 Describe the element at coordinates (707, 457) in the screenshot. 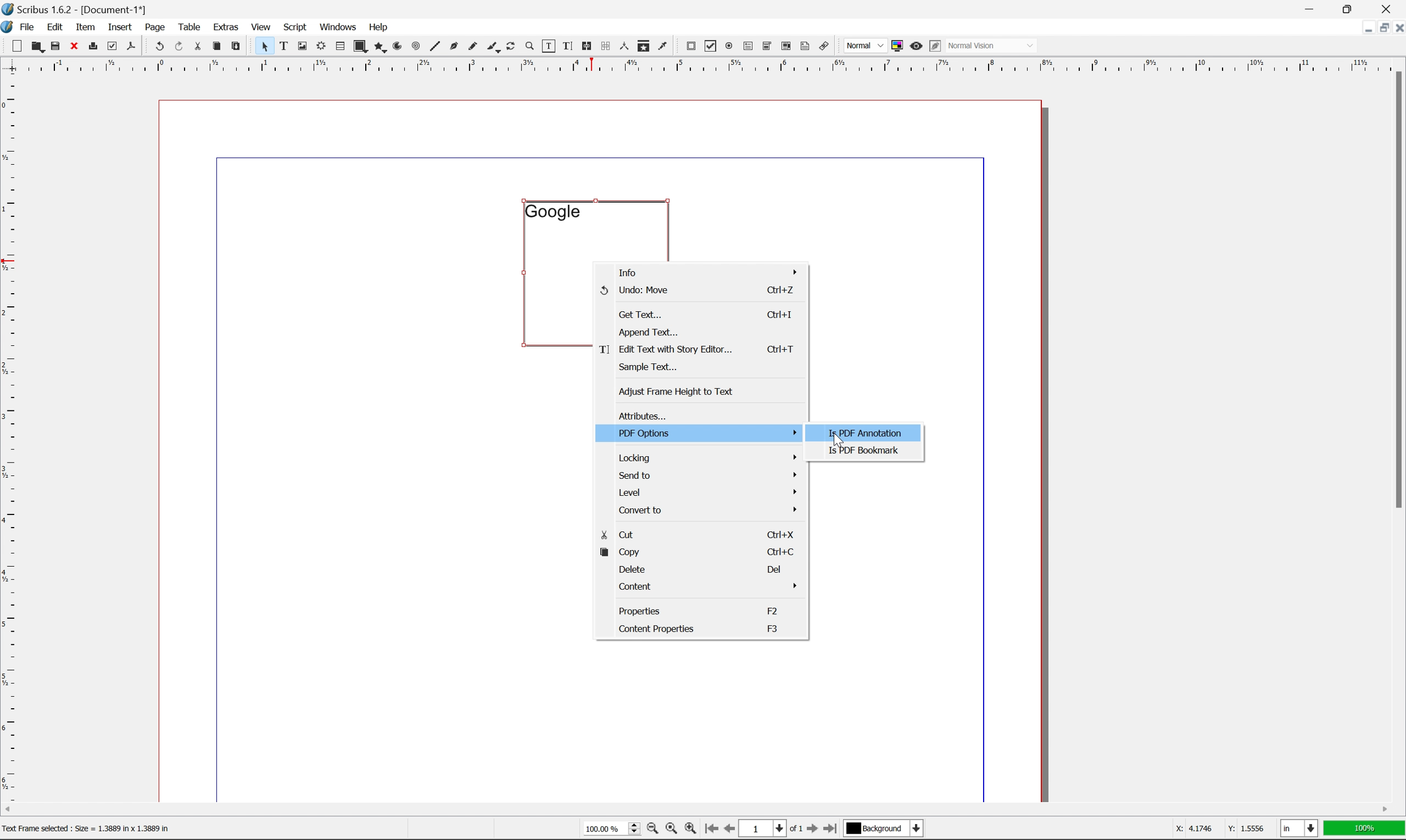

I see `locking` at that location.